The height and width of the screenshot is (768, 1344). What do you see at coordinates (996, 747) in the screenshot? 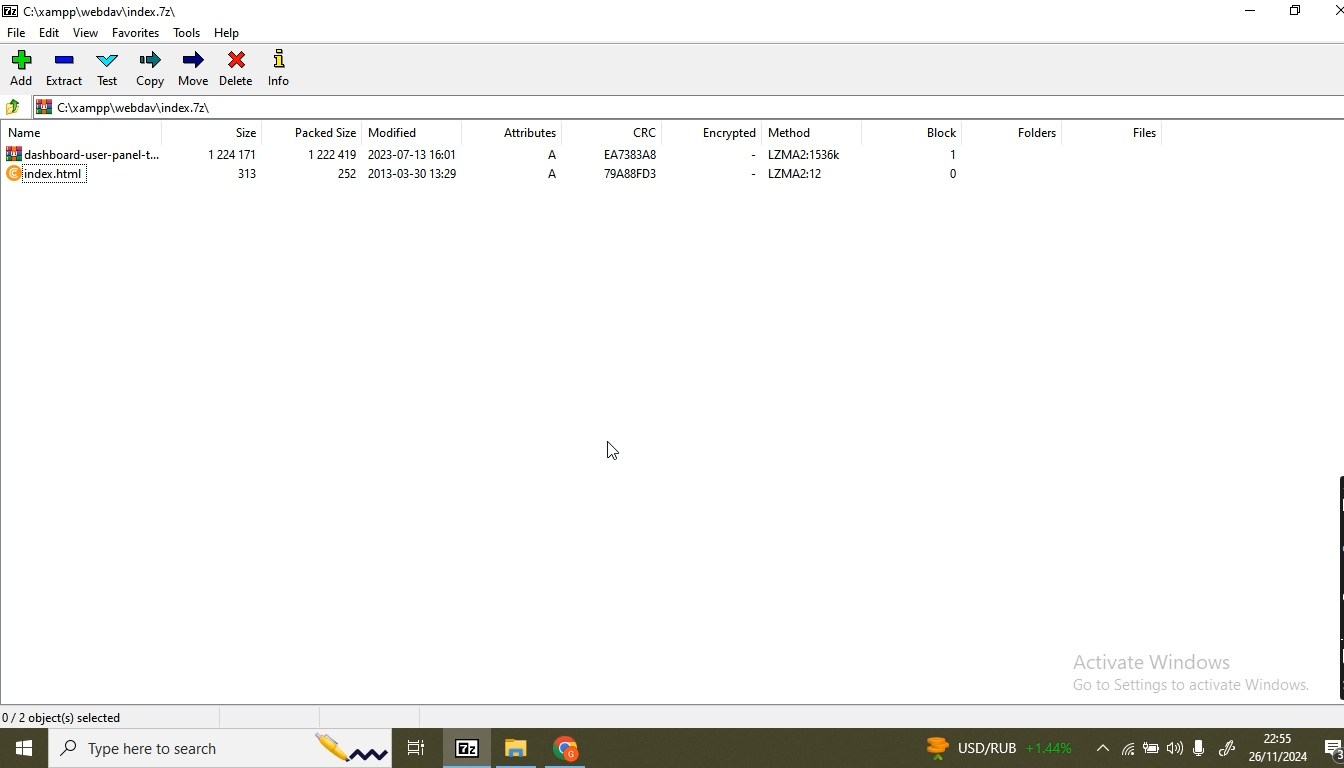
I see `news currency rate` at bounding box center [996, 747].